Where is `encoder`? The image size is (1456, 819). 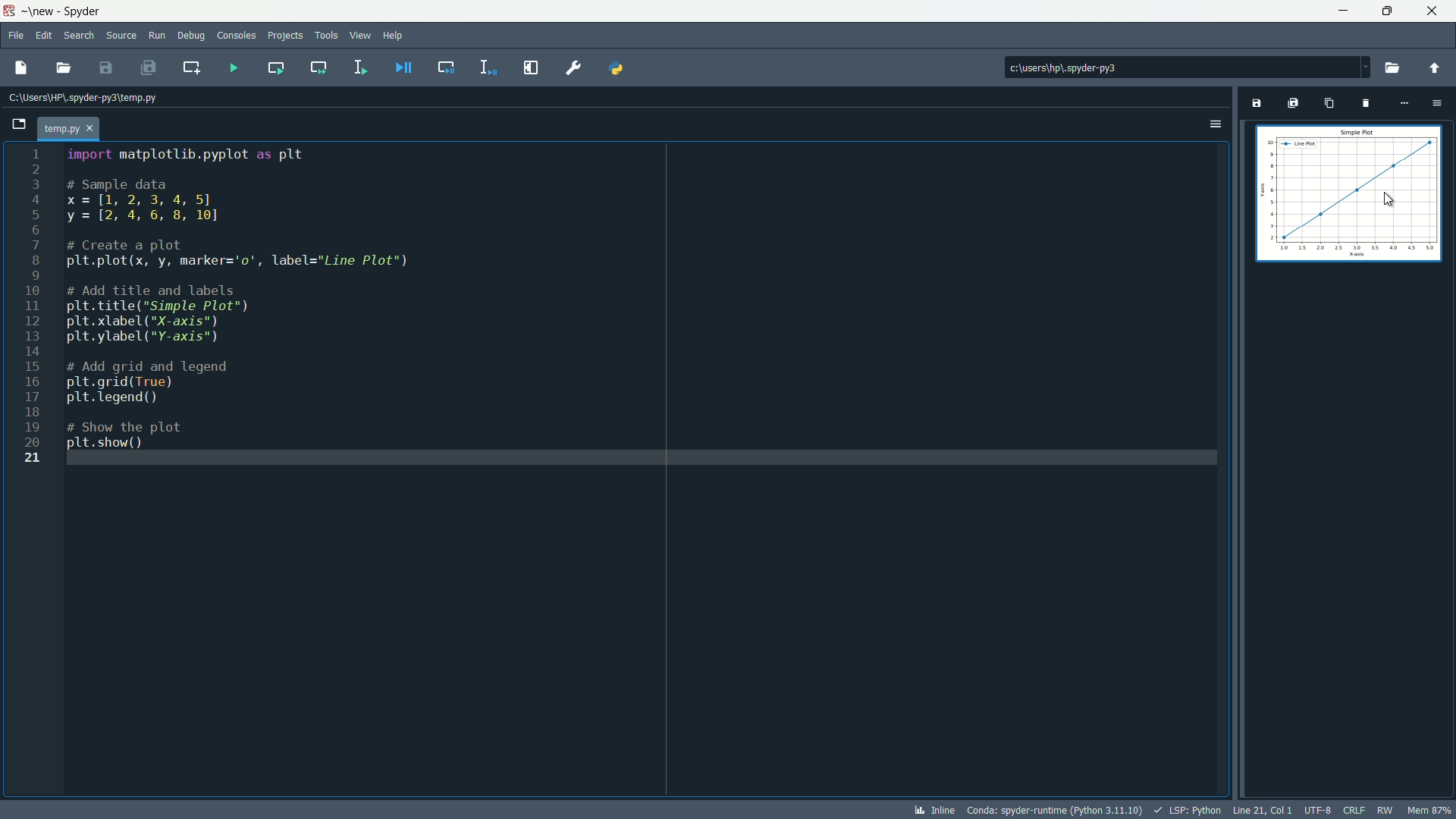 encoder is located at coordinates (1318, 810).